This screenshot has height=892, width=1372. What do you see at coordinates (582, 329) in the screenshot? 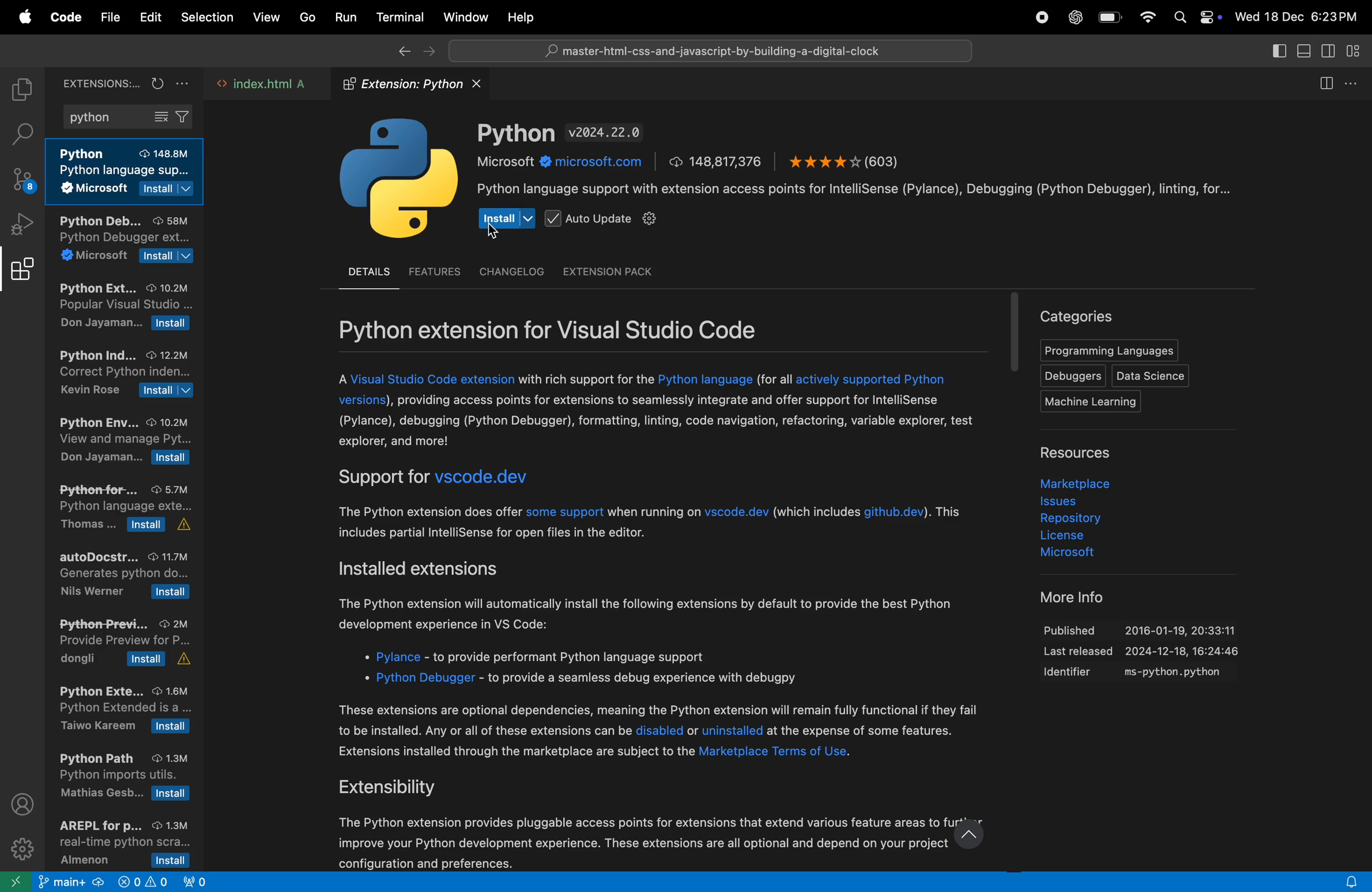
I see `python extension visual code` at bounding box center [582, 329].